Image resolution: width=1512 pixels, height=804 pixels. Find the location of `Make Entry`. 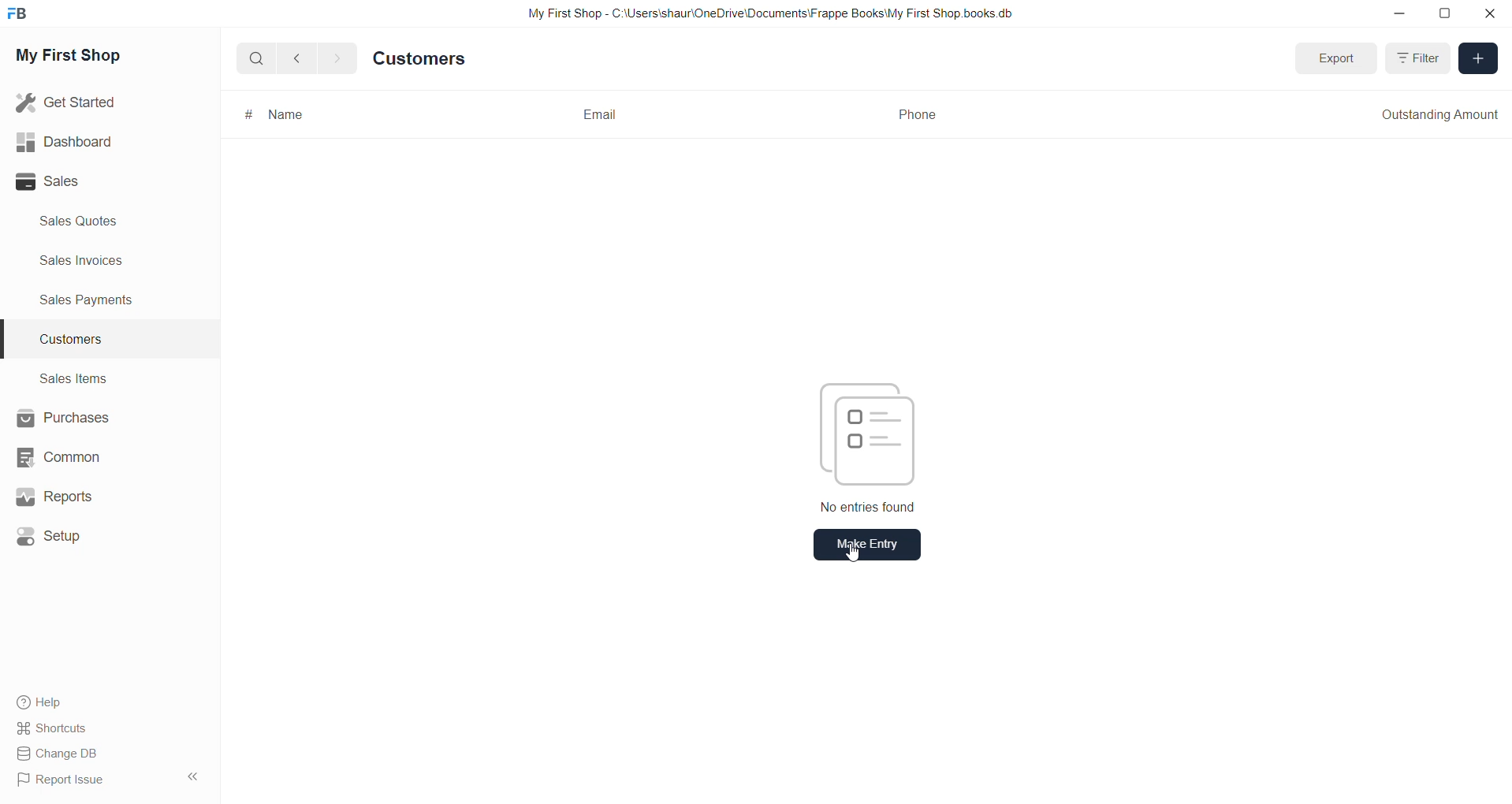

Make Entry is located at coordinates (867, 545).